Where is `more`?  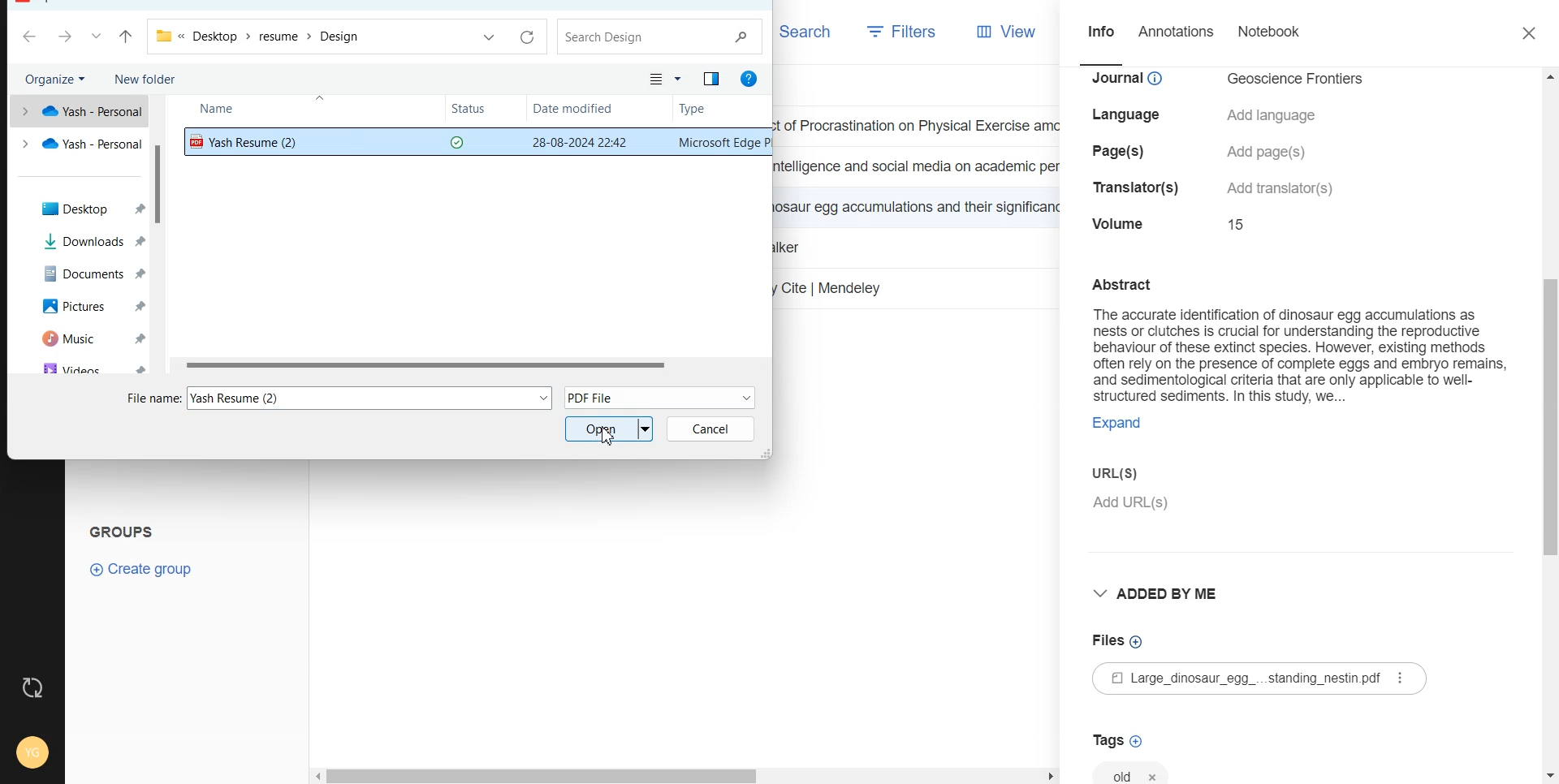
more is located at coordinates (1401, 678).